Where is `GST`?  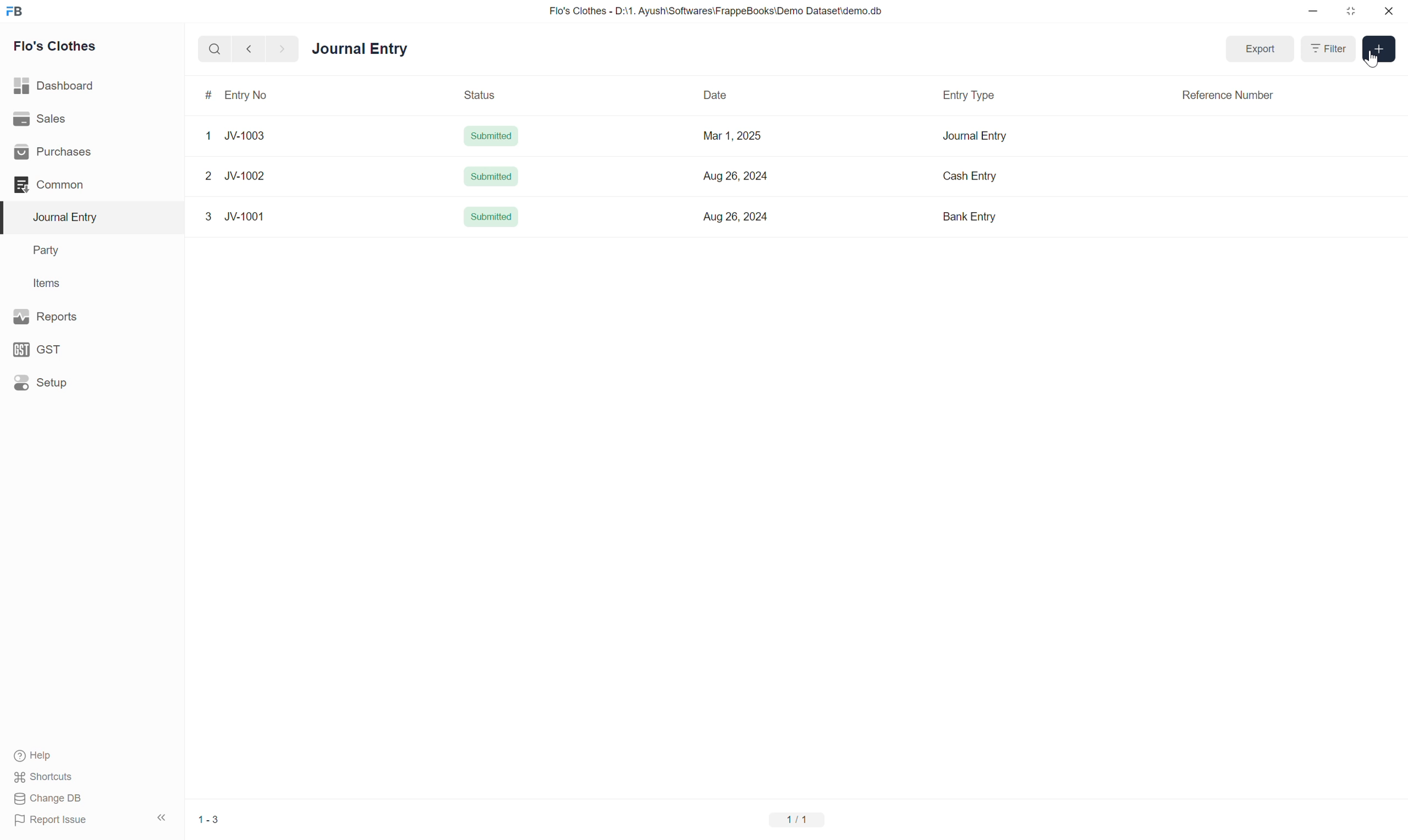 GST is located at coordinates (39, 350).